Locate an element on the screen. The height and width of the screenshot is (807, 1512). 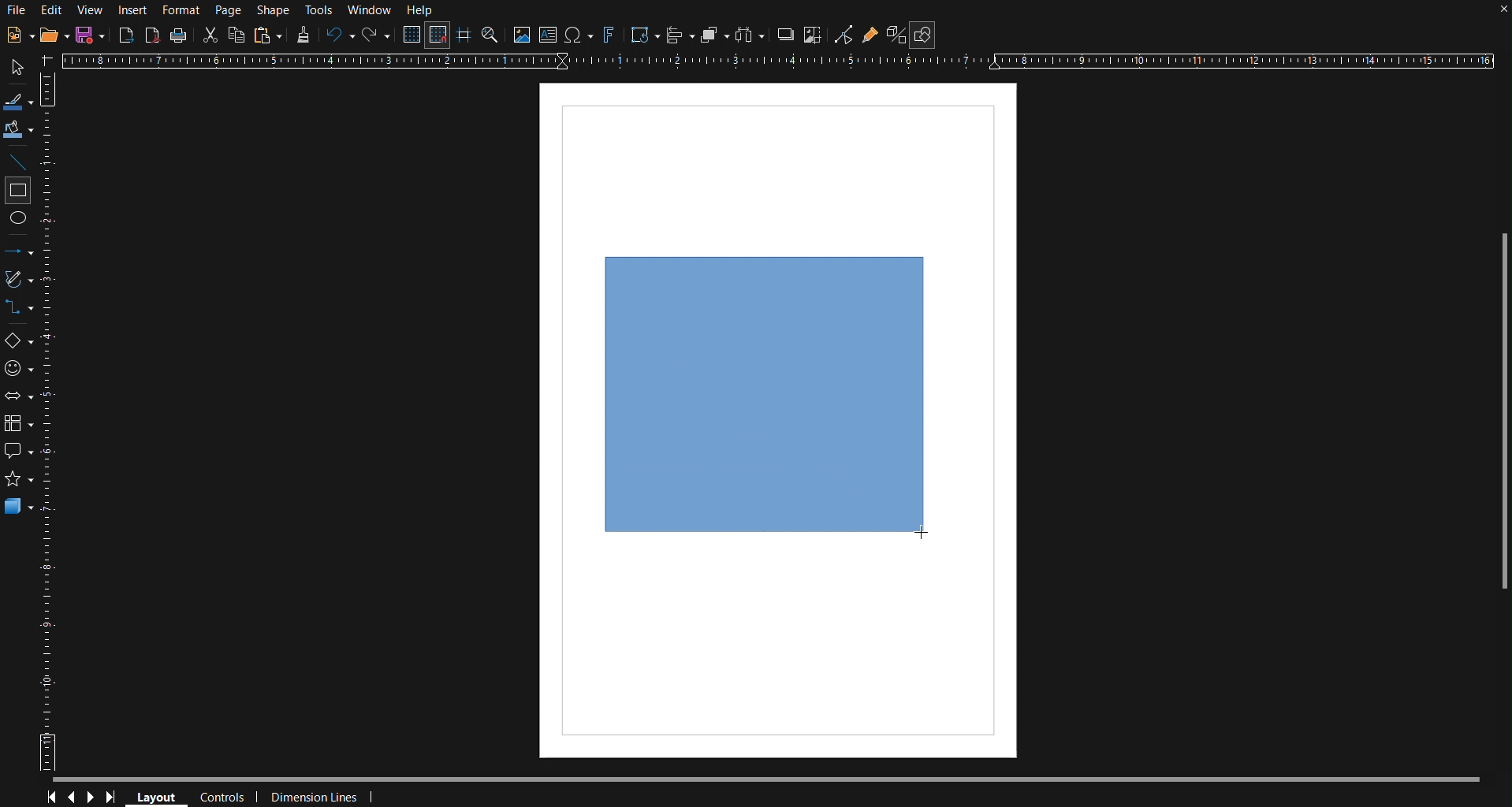
Controls is located at coordinates (225, 798).